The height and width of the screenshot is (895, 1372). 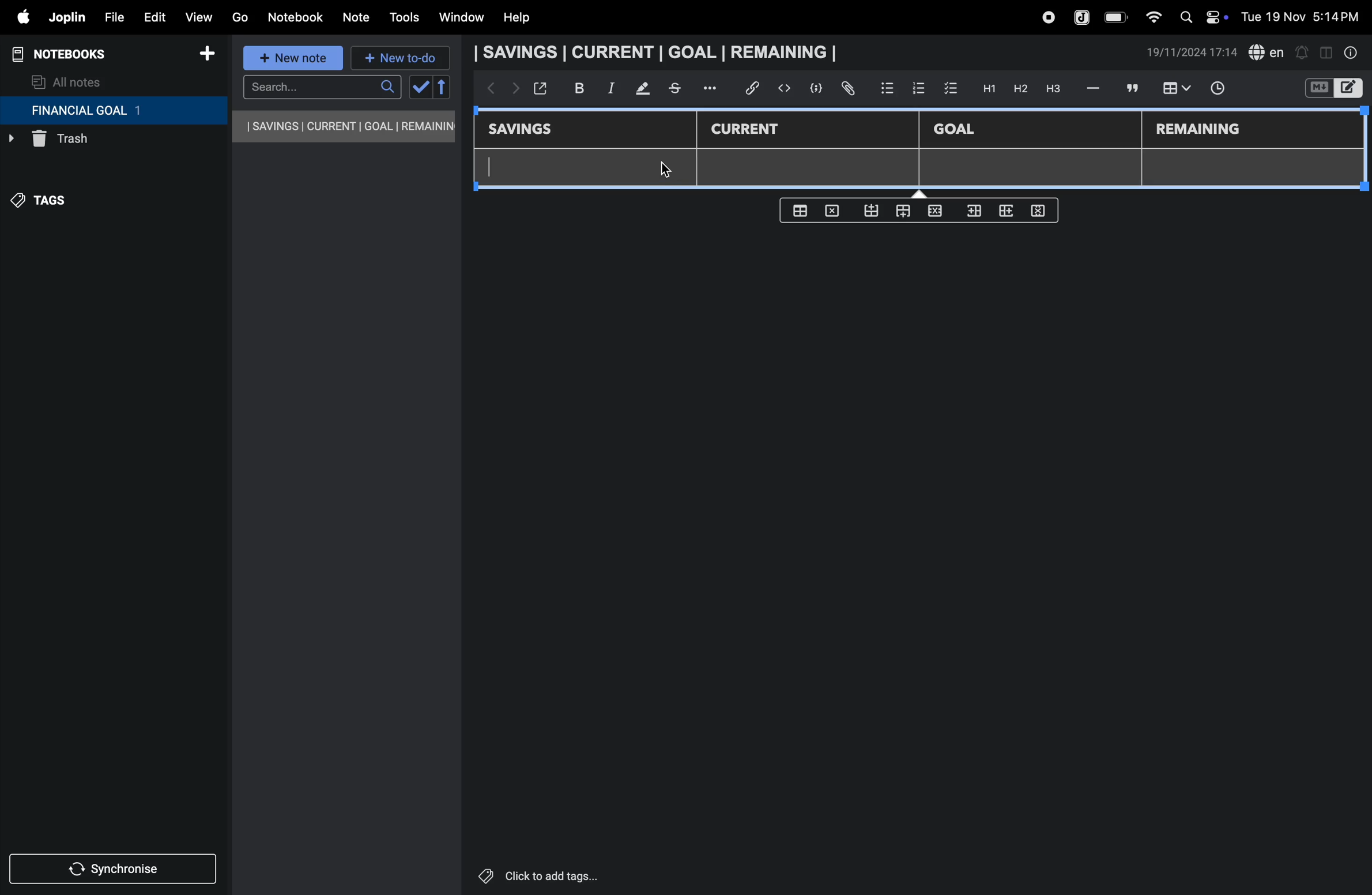 What do you see at coordinates (812, 88) in the screenshot?
I see `code block` at bounding box center [812, 88].